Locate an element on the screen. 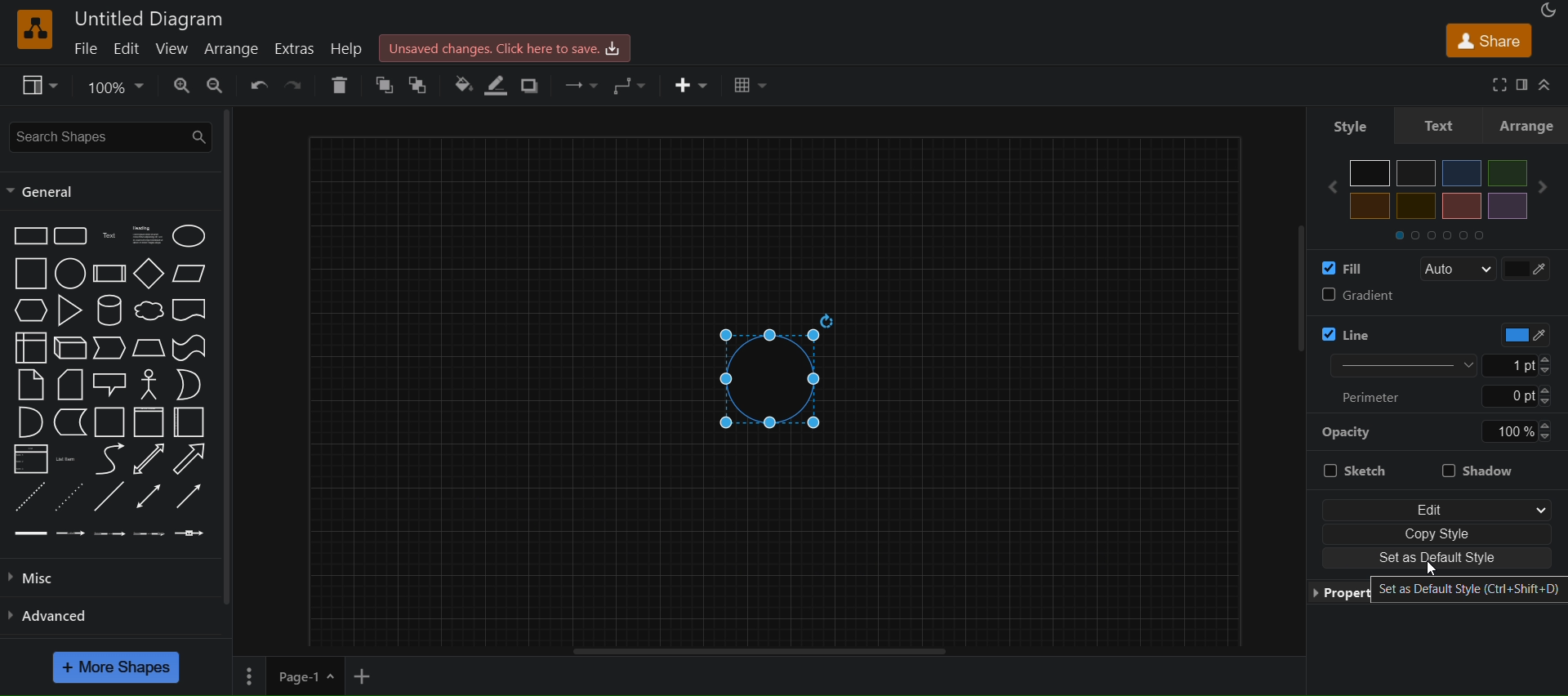 The height and width of the screenshot is (696, 1568). line color is located at coordinates (1383, 330).